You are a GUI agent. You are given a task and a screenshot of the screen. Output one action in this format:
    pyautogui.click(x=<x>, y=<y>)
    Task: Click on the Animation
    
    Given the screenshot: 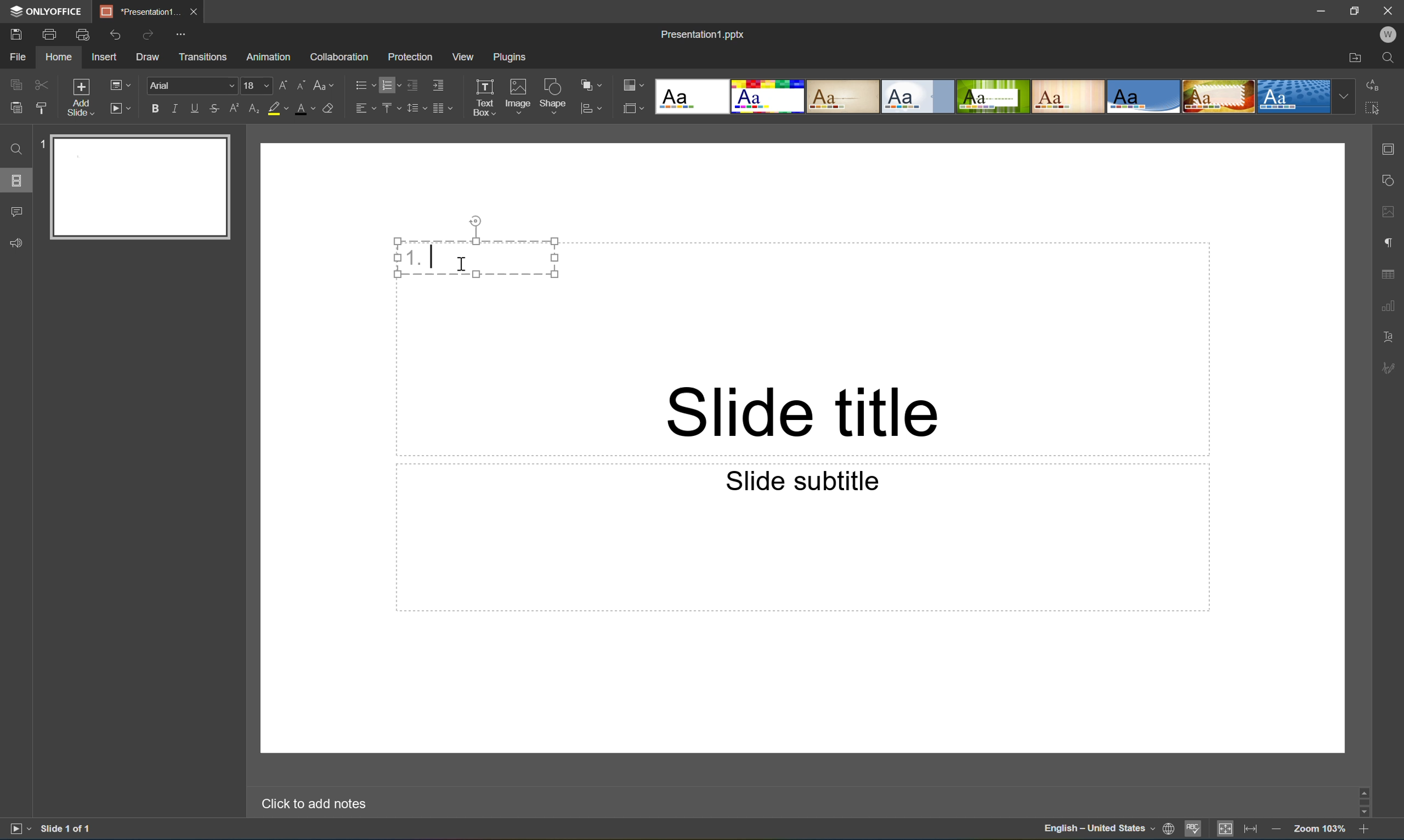 What is the action you would take?
    pyautogui.click(x=267, y=59)
    